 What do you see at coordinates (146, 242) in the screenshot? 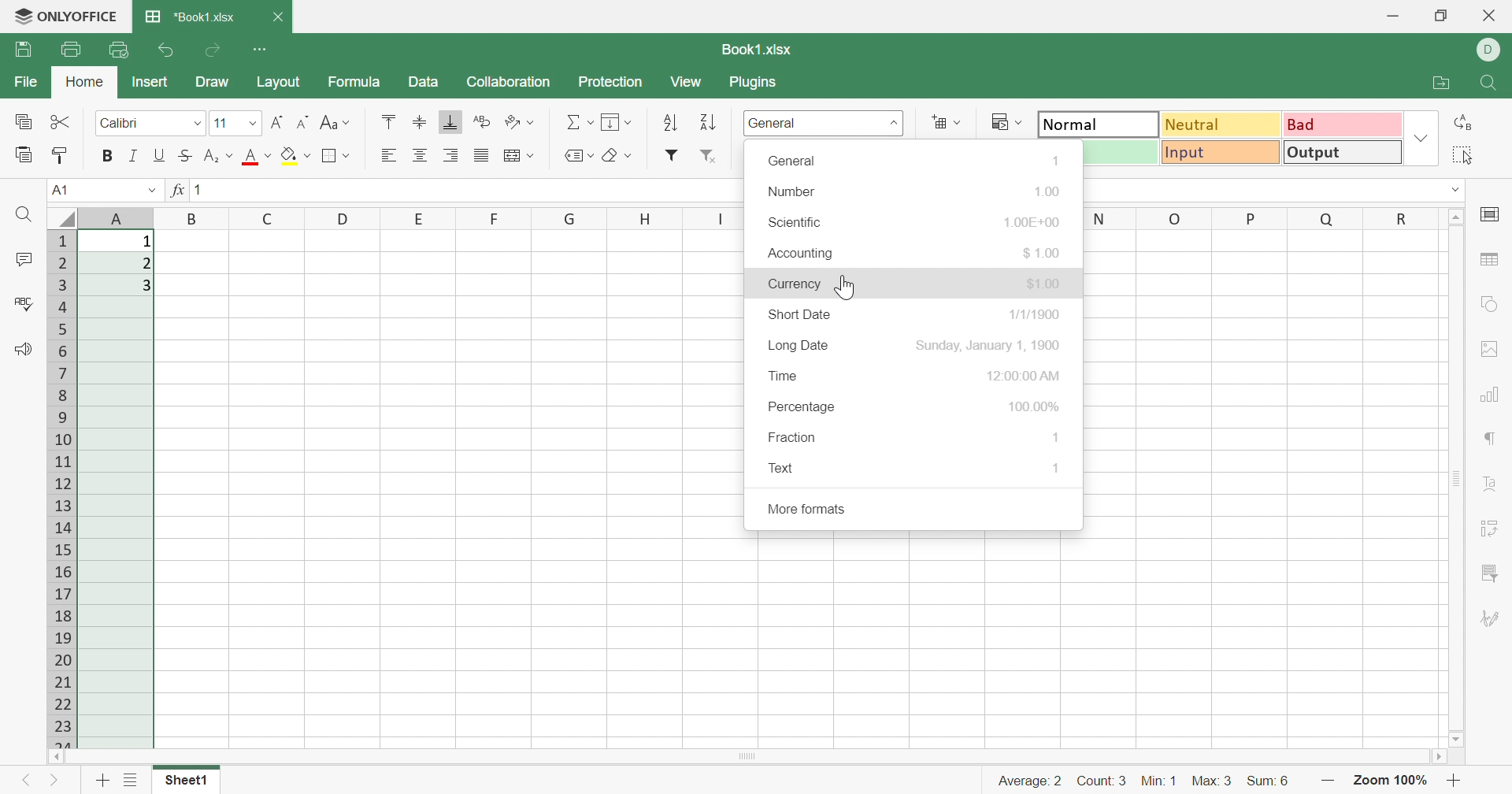
I see `1` at bounding box center [146, 242].